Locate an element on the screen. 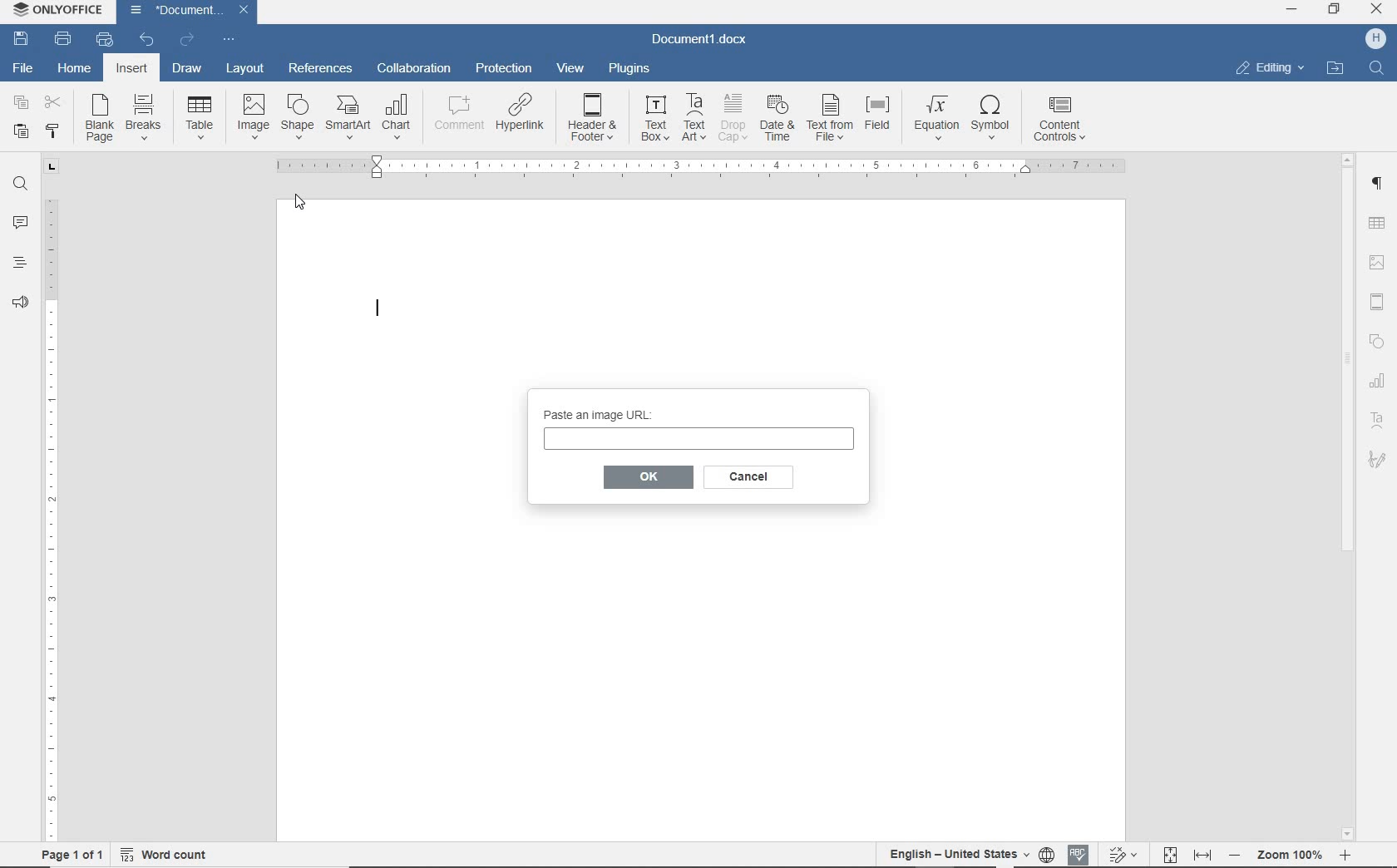 The image size is (1397, 868). shape is located at coordinates (298, 116).